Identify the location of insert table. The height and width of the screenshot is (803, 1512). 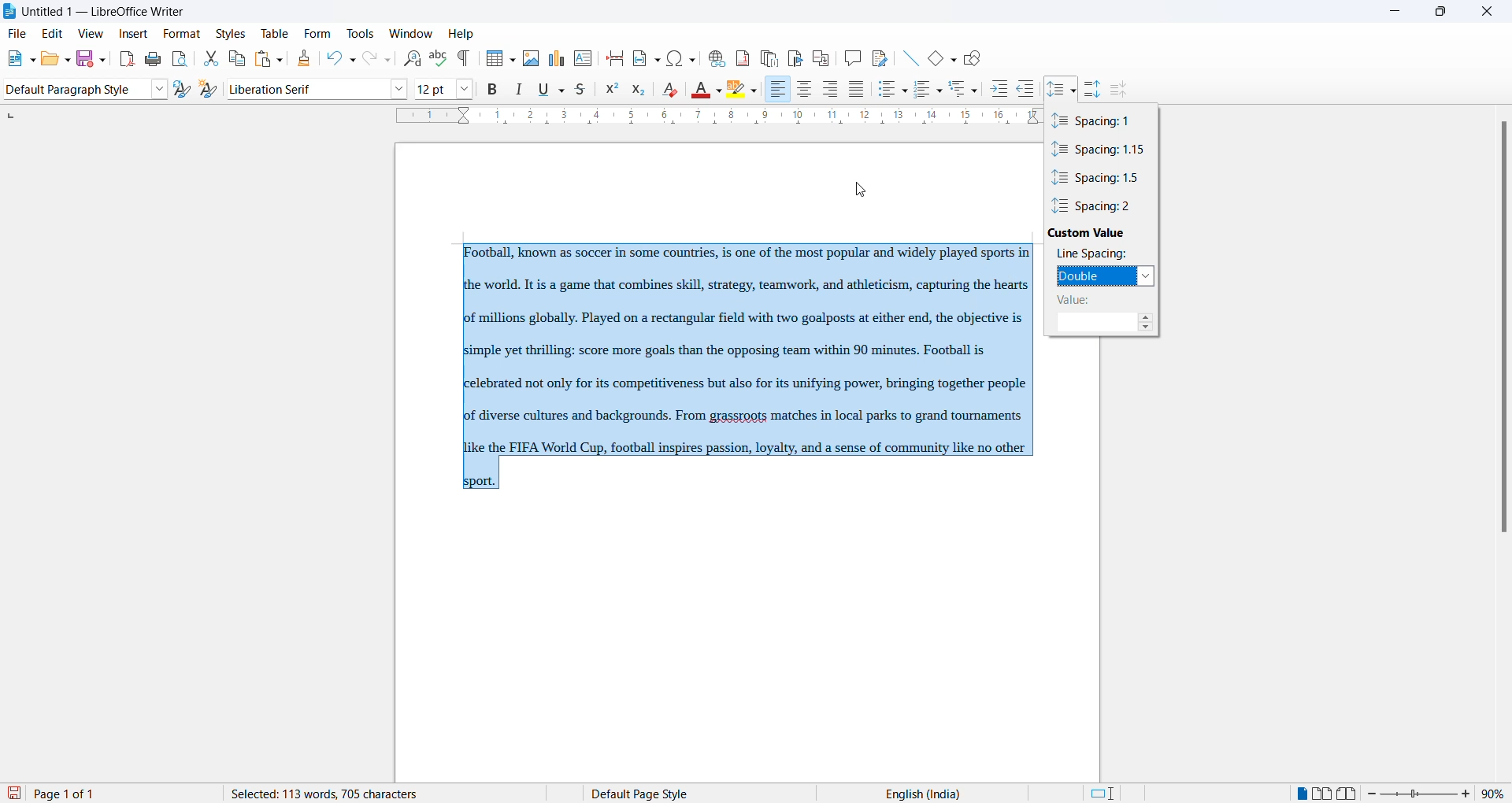
(492, 58).